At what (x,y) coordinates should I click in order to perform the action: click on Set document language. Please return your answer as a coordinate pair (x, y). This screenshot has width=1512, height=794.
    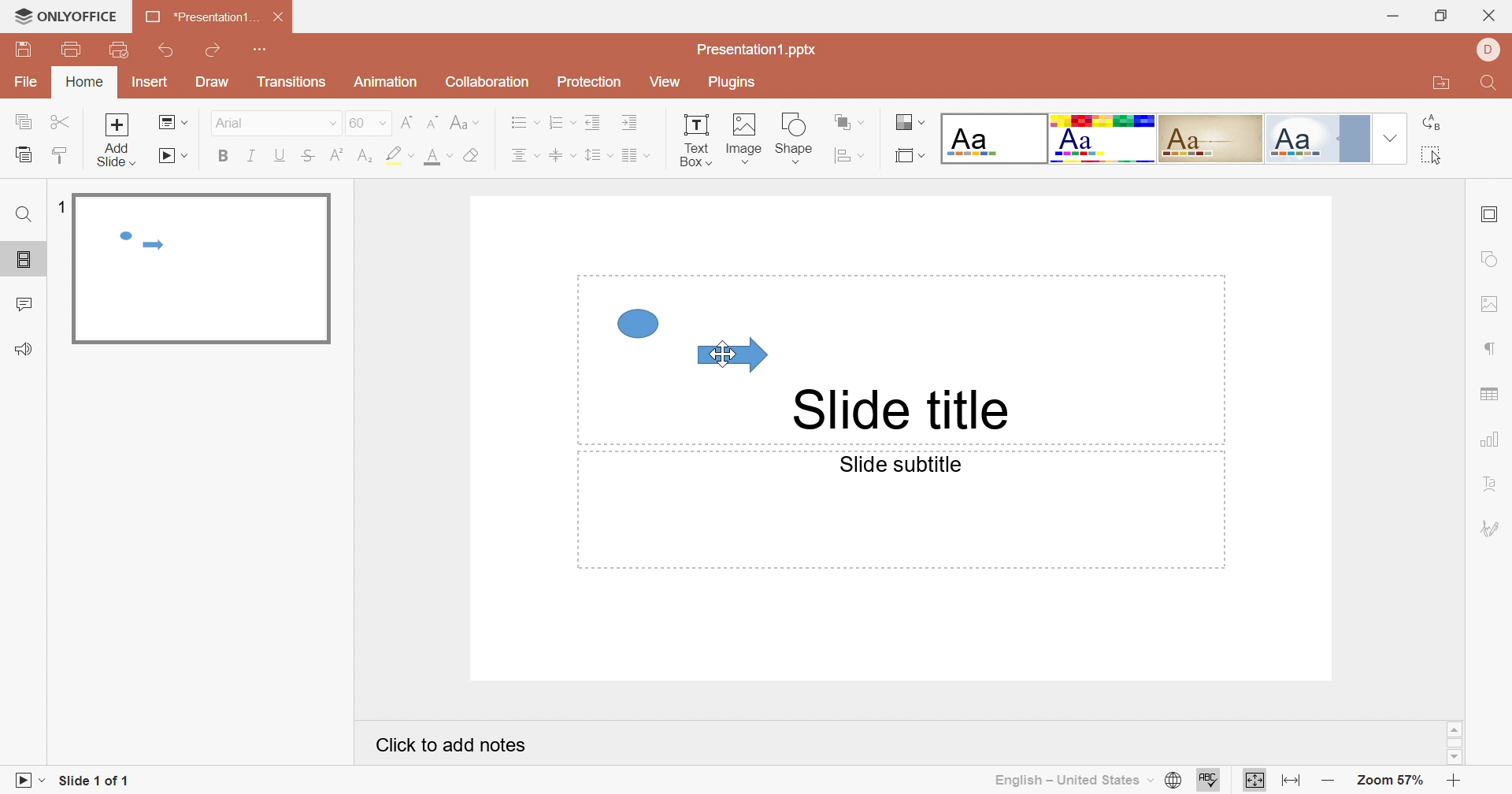
    Looking at the image, I should click on (1173, 782).